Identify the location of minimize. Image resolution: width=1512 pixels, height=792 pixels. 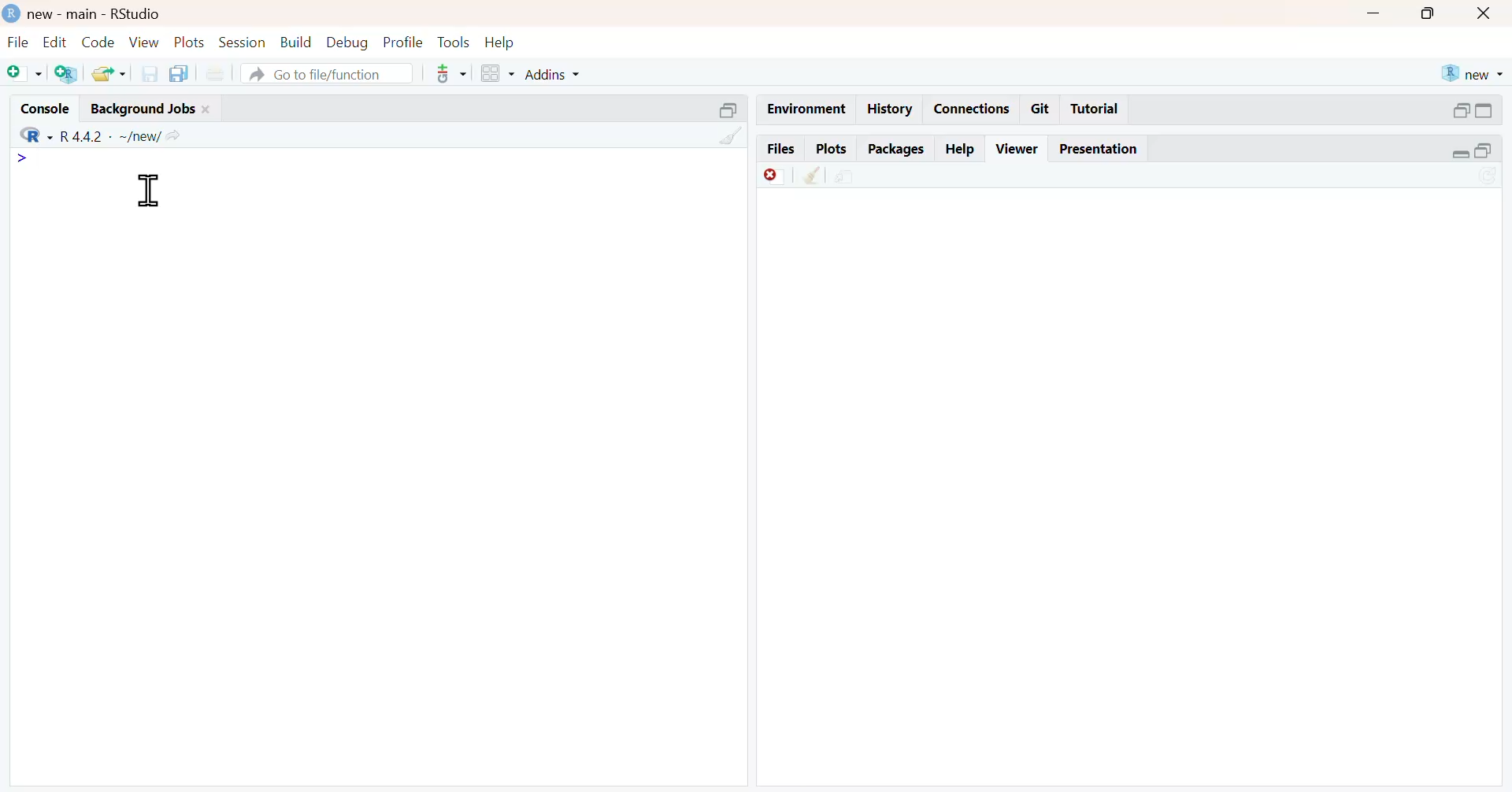
(1374, 11).